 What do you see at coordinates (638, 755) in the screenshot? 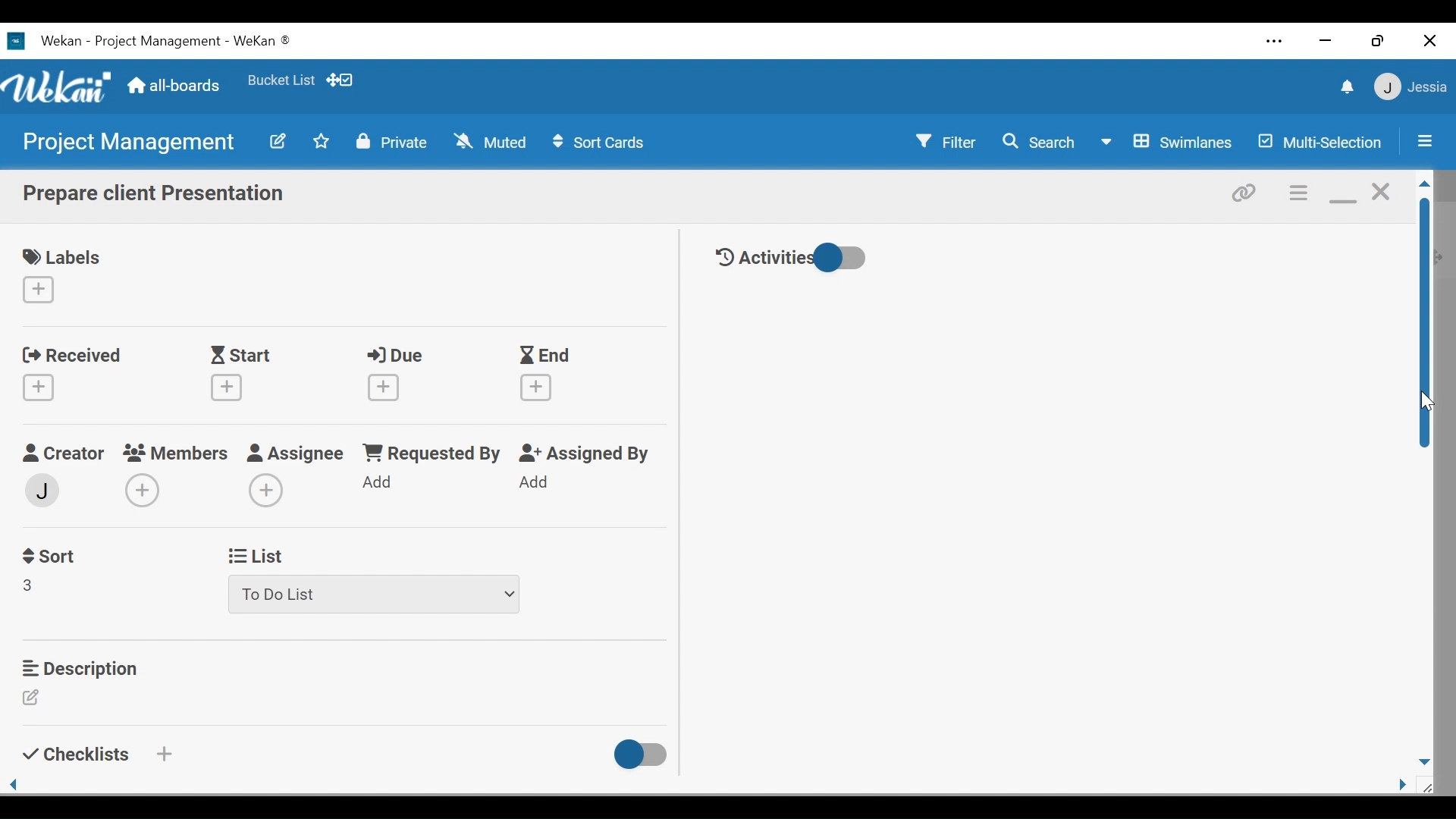
I see `Toggle show/Hide Checklist` at bounding box center [638, 755].